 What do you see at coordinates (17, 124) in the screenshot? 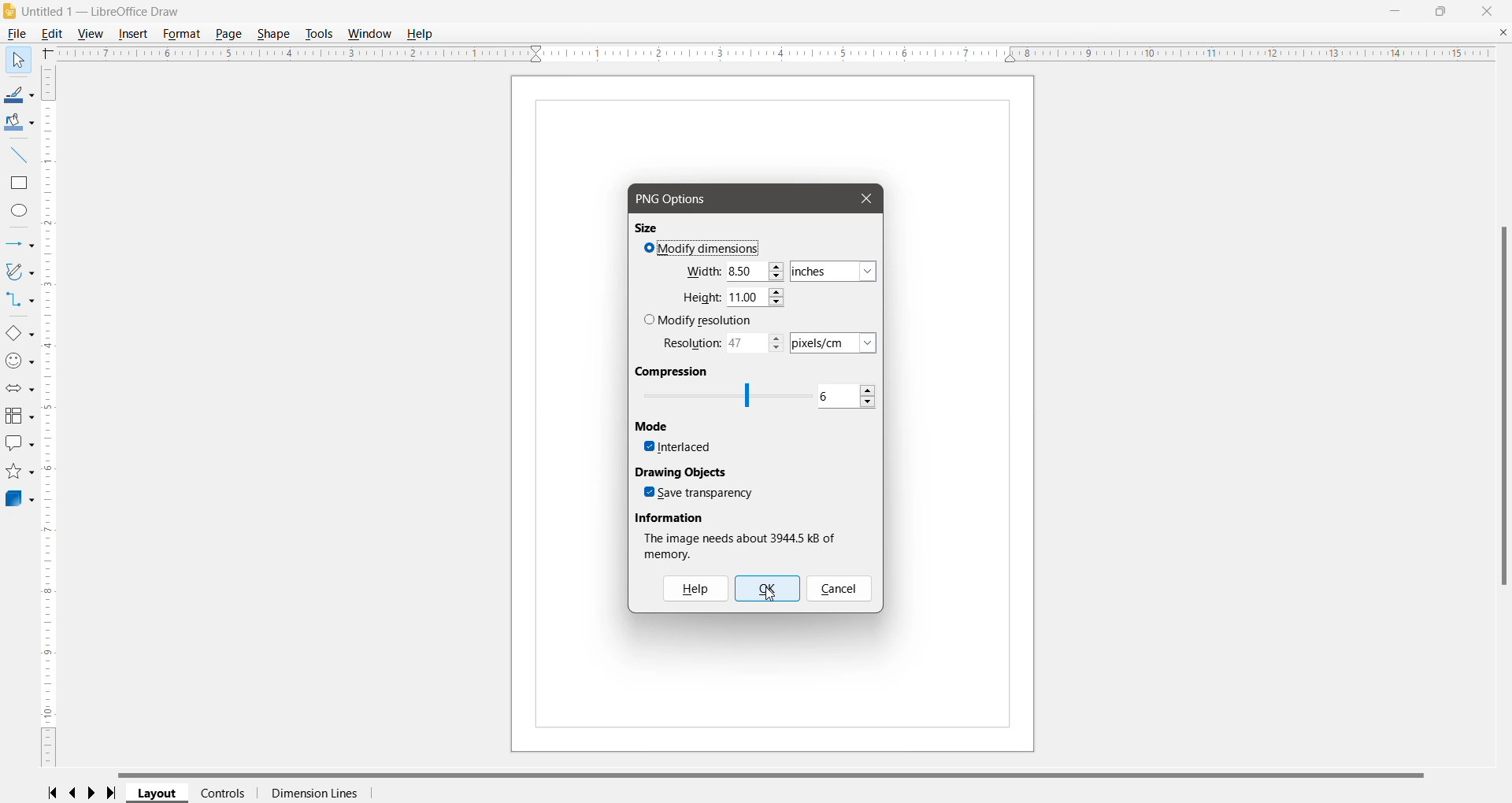
I see `Fill Color` at bounding box center [17, 124].